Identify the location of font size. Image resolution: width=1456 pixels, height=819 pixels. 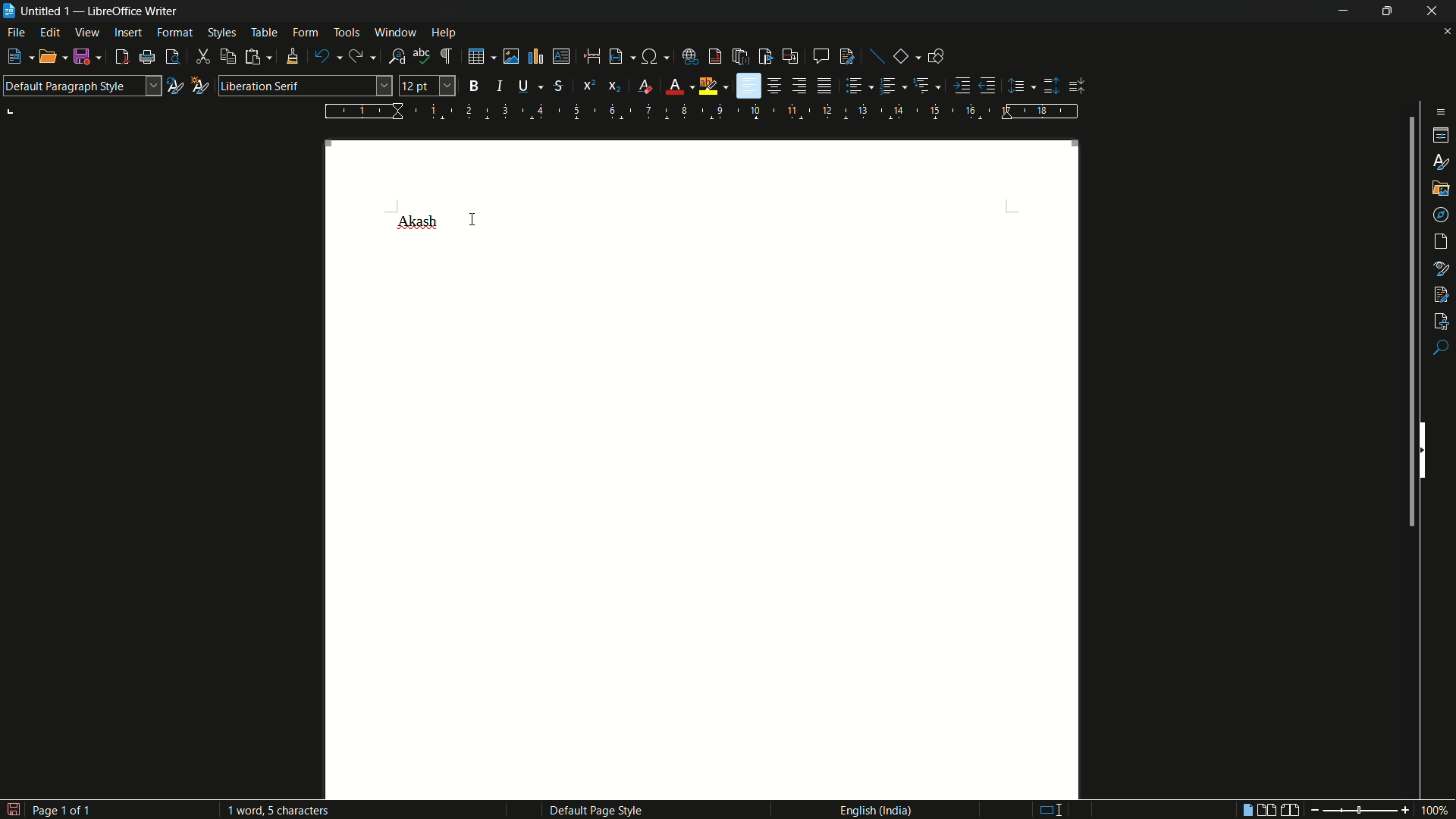
(428, 86).